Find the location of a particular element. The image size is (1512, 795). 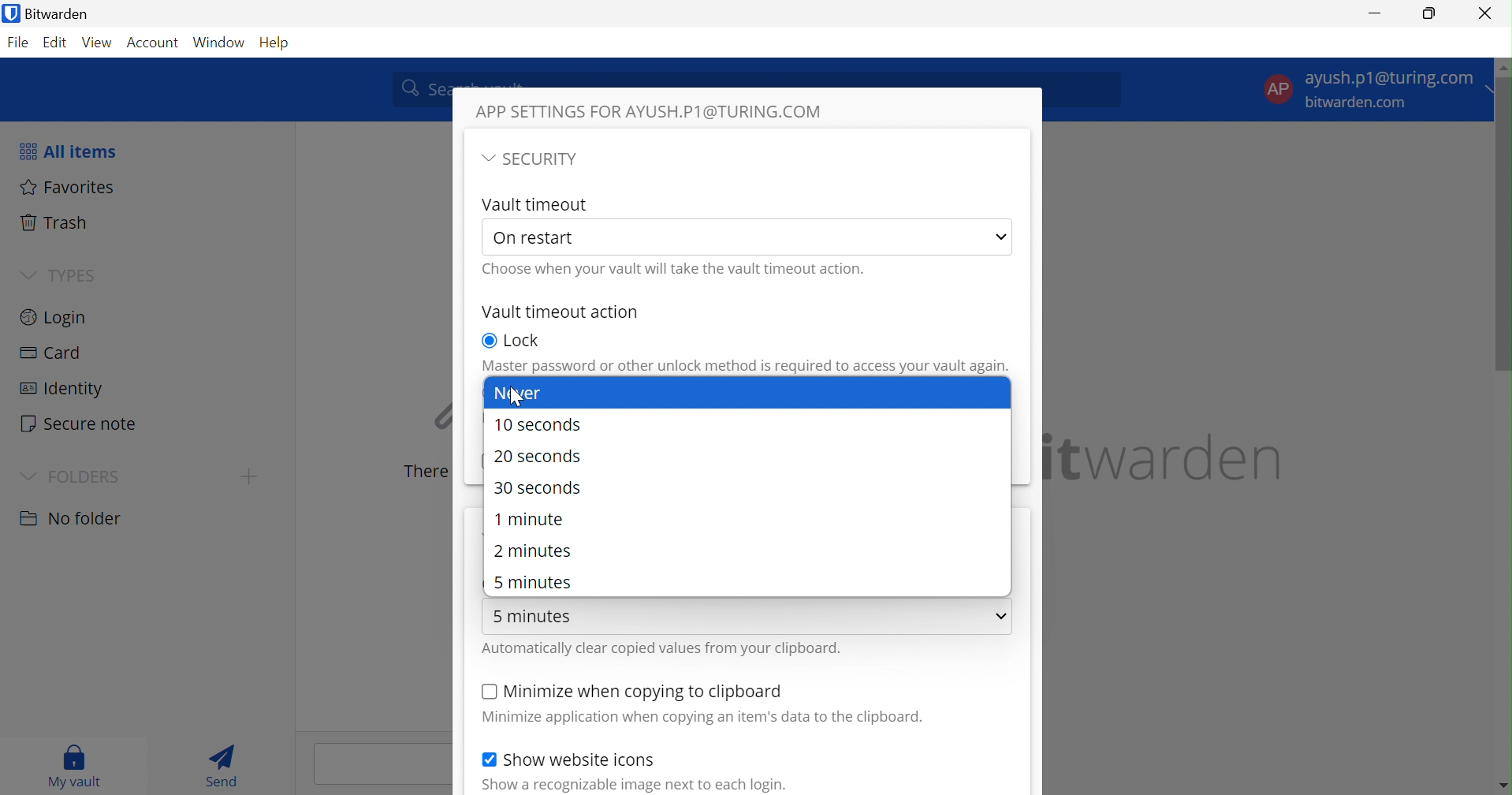

Send is located at coordinates (224, 764).